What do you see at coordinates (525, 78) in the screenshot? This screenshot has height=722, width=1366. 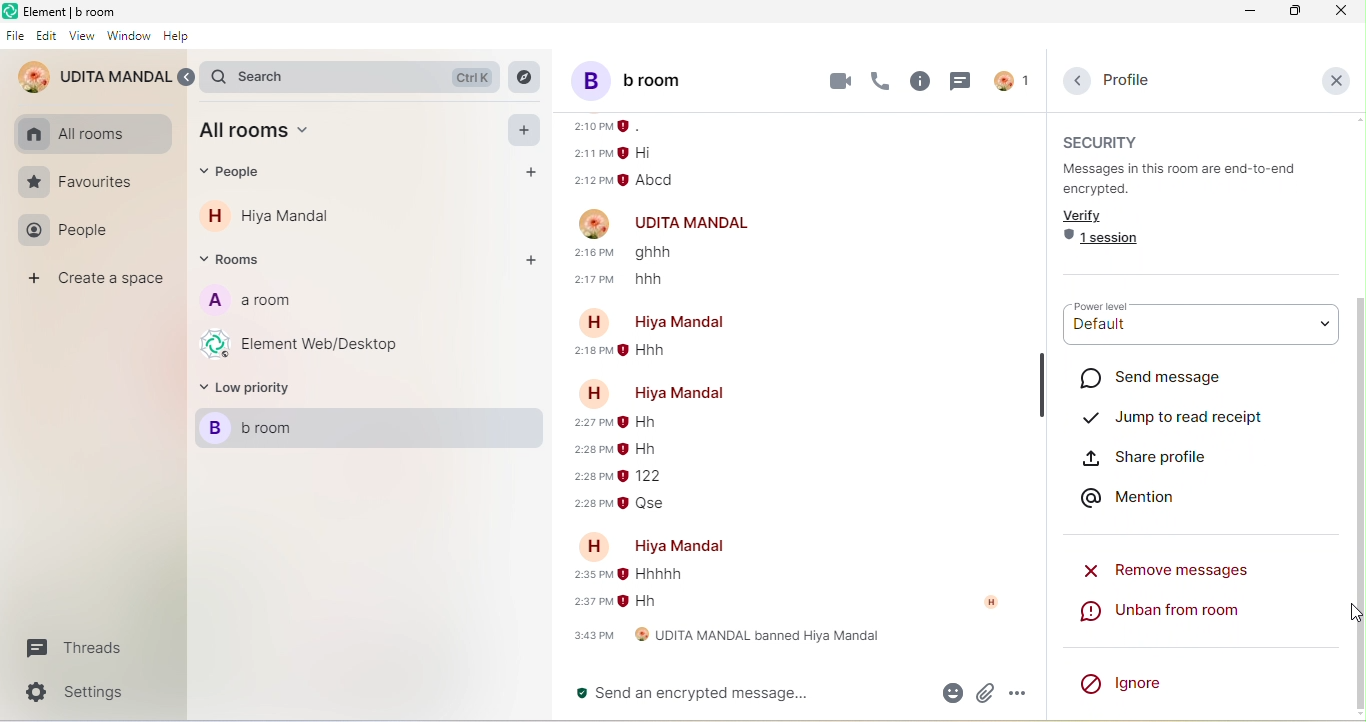 I see `explore` at bounding box center [525, 78].